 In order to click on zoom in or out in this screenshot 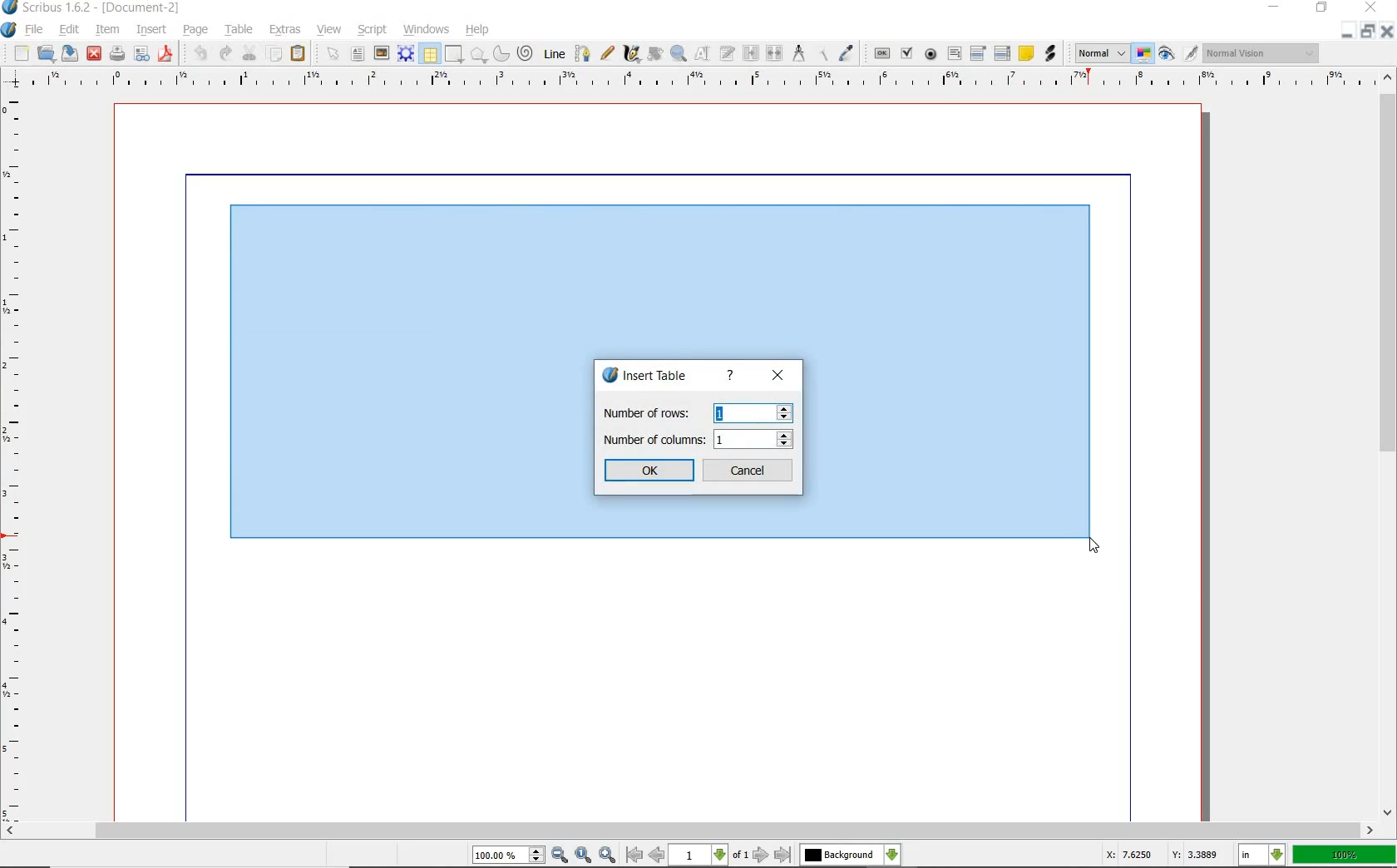, I will do `click(677, 54)`.